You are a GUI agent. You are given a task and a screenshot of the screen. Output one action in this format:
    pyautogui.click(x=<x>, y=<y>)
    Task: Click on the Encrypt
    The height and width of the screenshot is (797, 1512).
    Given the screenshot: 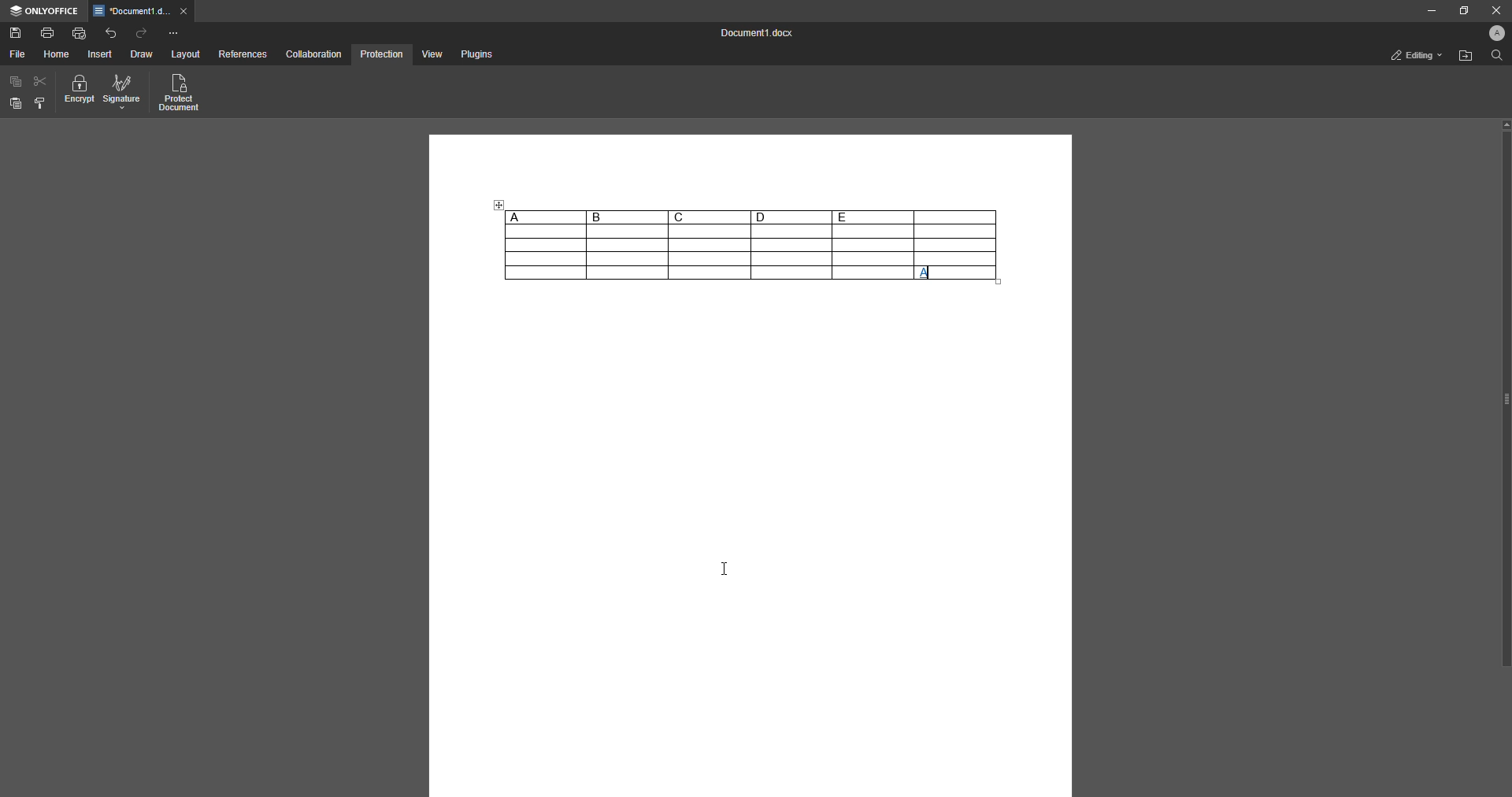 What is the action you would take?
    pyautogui.click(x=80, y=92)
    